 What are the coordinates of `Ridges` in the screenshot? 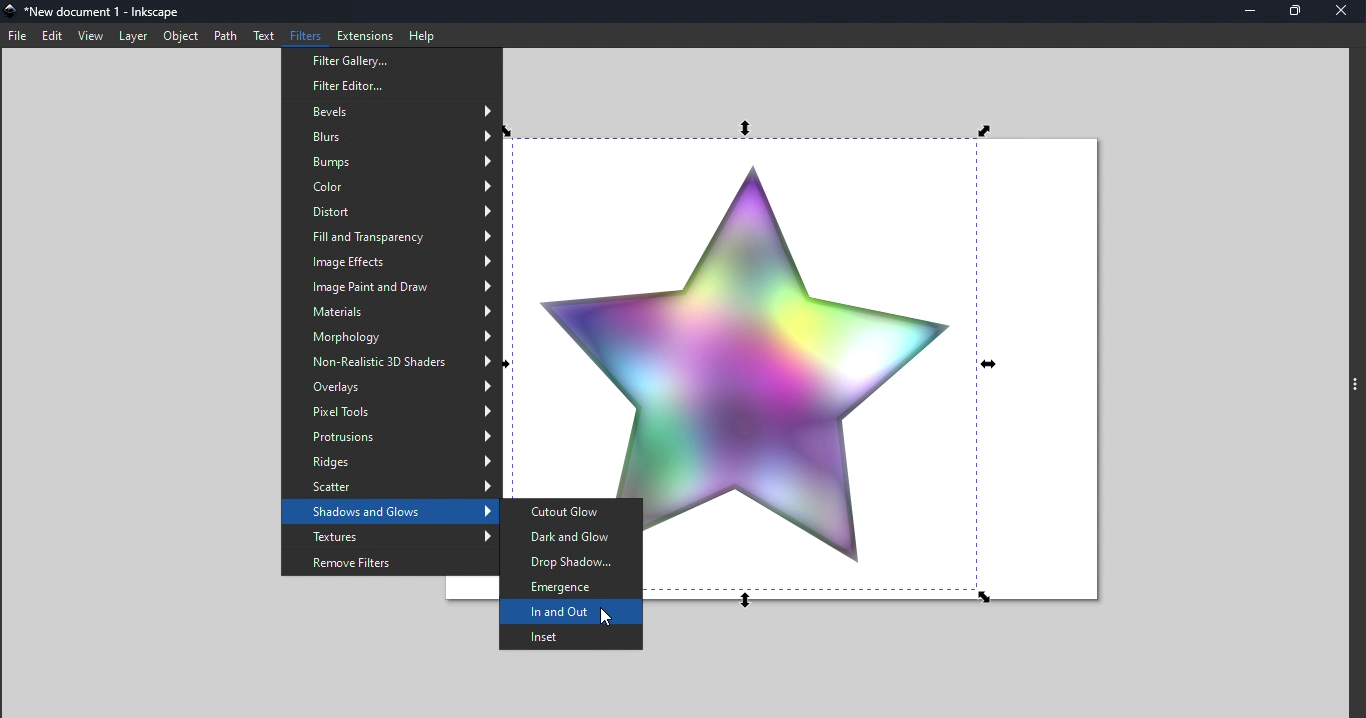 It's located at (392, 462).